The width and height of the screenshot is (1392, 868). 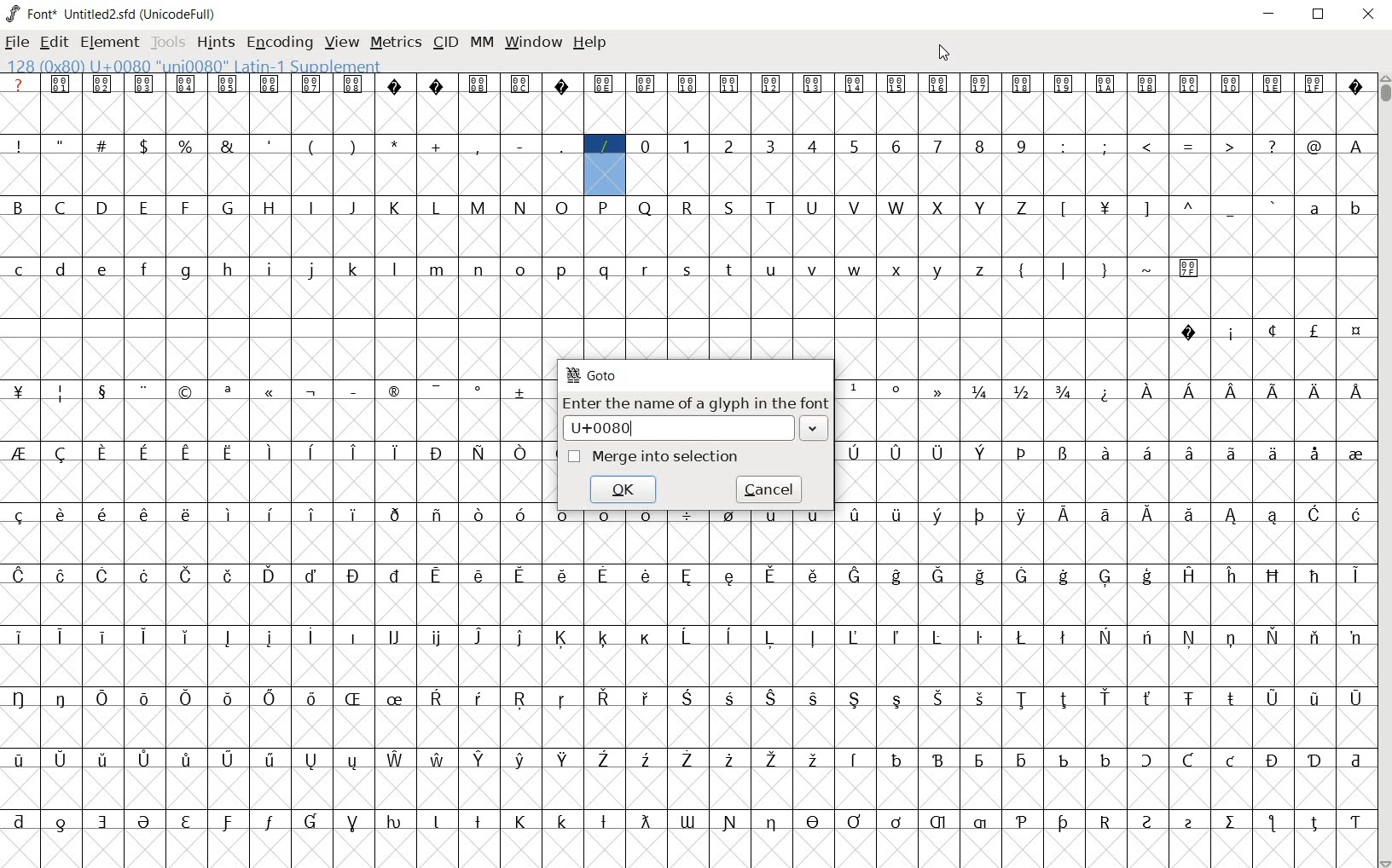 I want to click on glyph, so click(x=520, y=699).